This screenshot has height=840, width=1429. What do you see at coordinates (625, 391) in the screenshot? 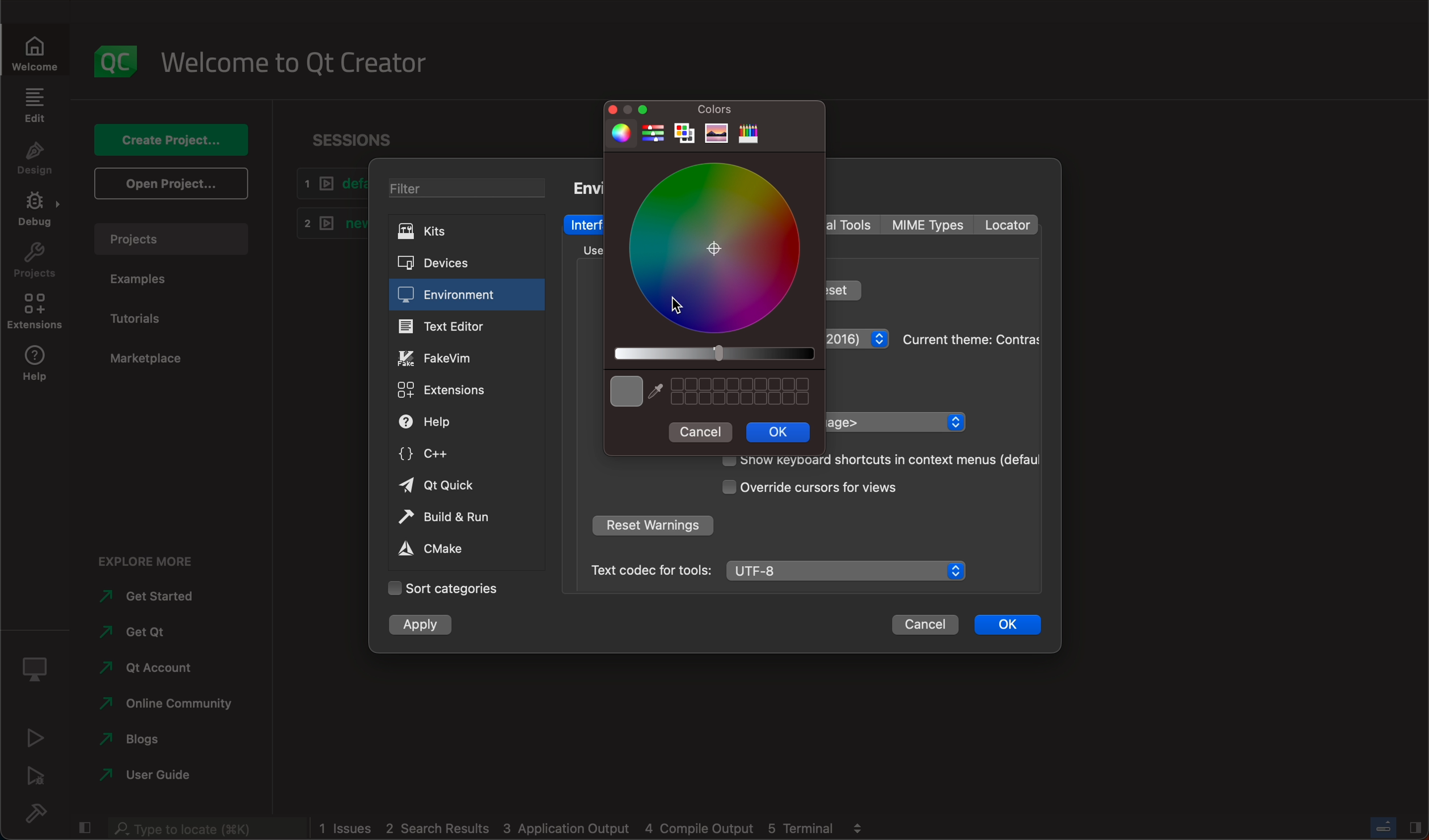
I see `choose color` at bounding box center [625, 391].